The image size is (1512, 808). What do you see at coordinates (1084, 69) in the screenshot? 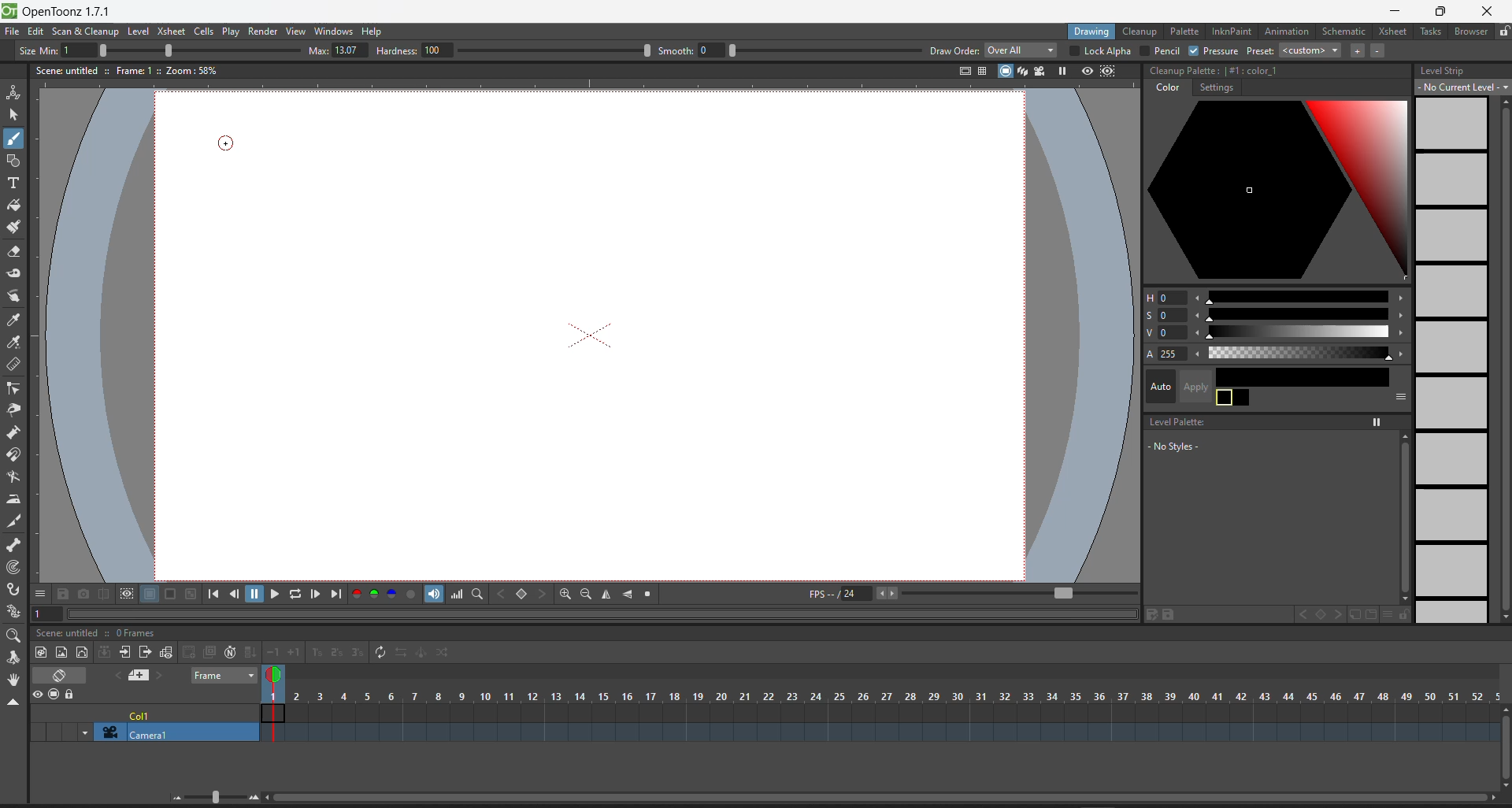
I see `preview` at bounding box center [1084, 69].